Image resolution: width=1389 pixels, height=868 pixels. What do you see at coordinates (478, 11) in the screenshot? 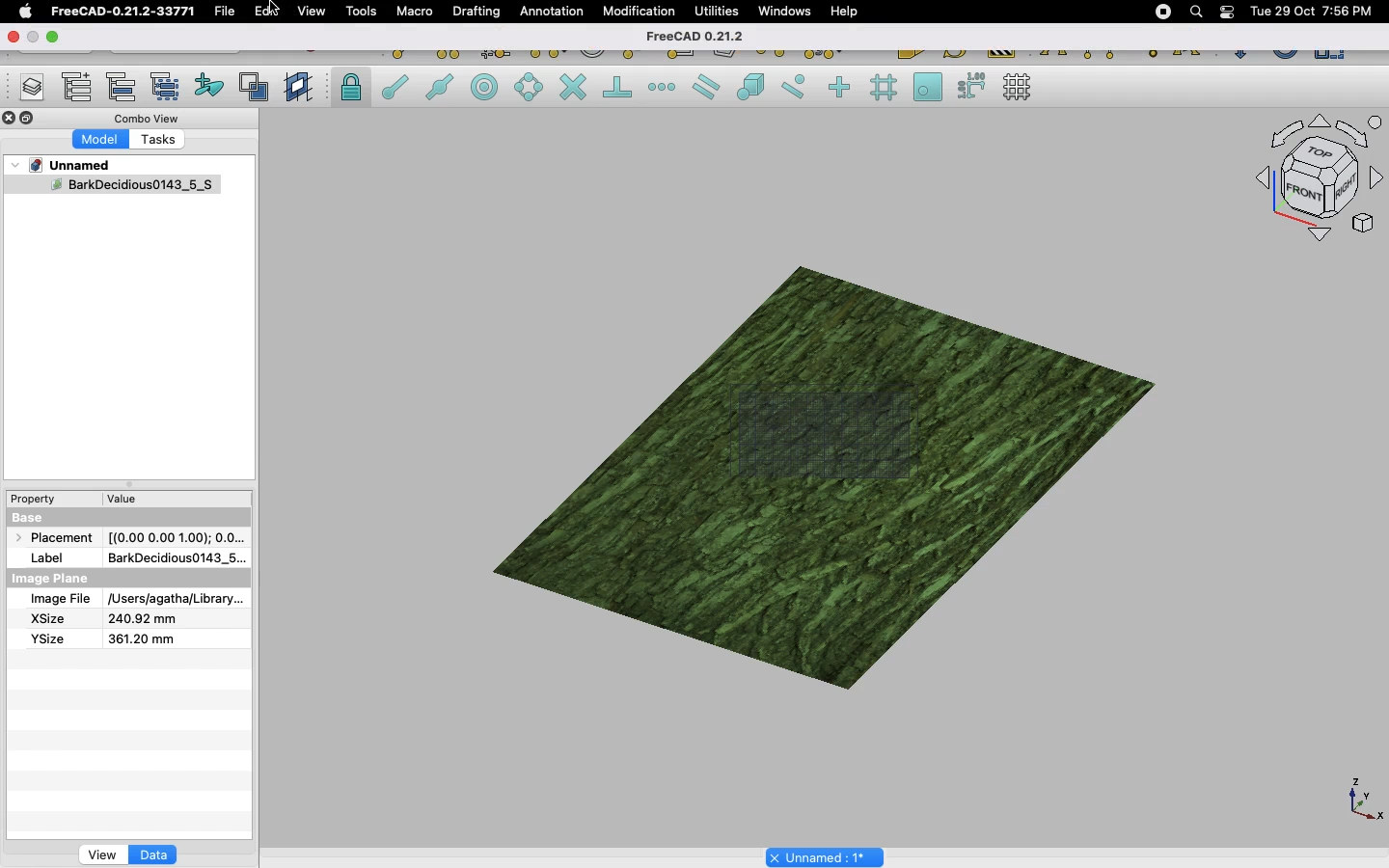
I see `Drafting` at bounding box center [478, 11].